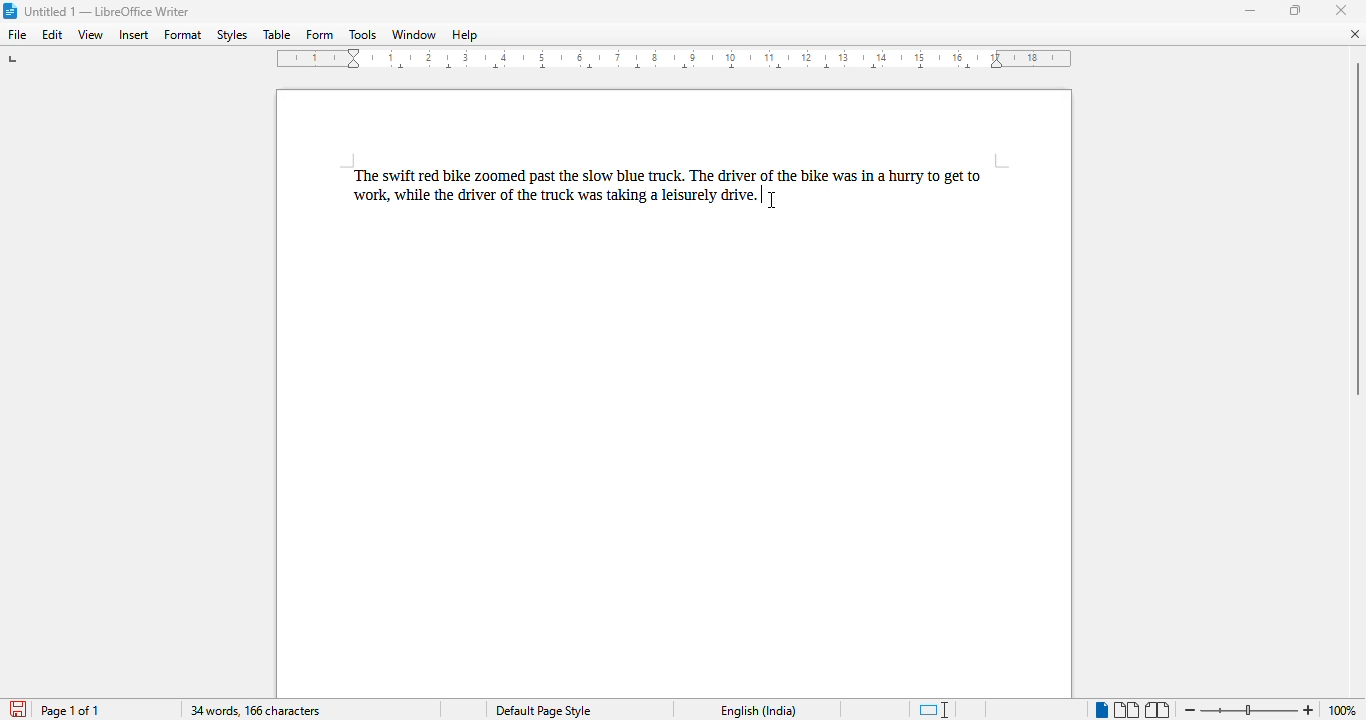  Describe the element at coordinates (1356, 33) in the screenshot. I see `close document` at that location.